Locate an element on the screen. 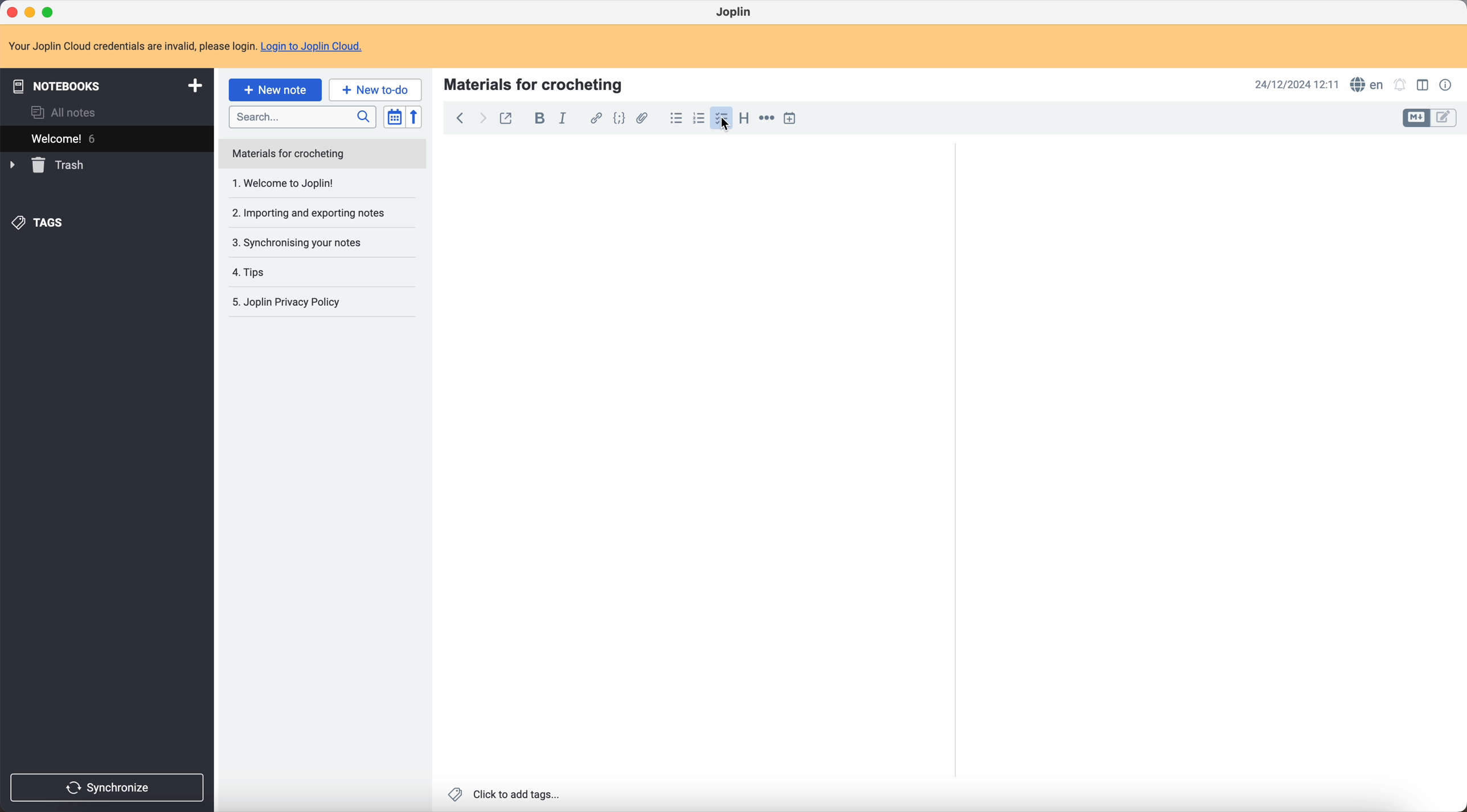  toggle edit layout is located at coordinates (1424, 84).